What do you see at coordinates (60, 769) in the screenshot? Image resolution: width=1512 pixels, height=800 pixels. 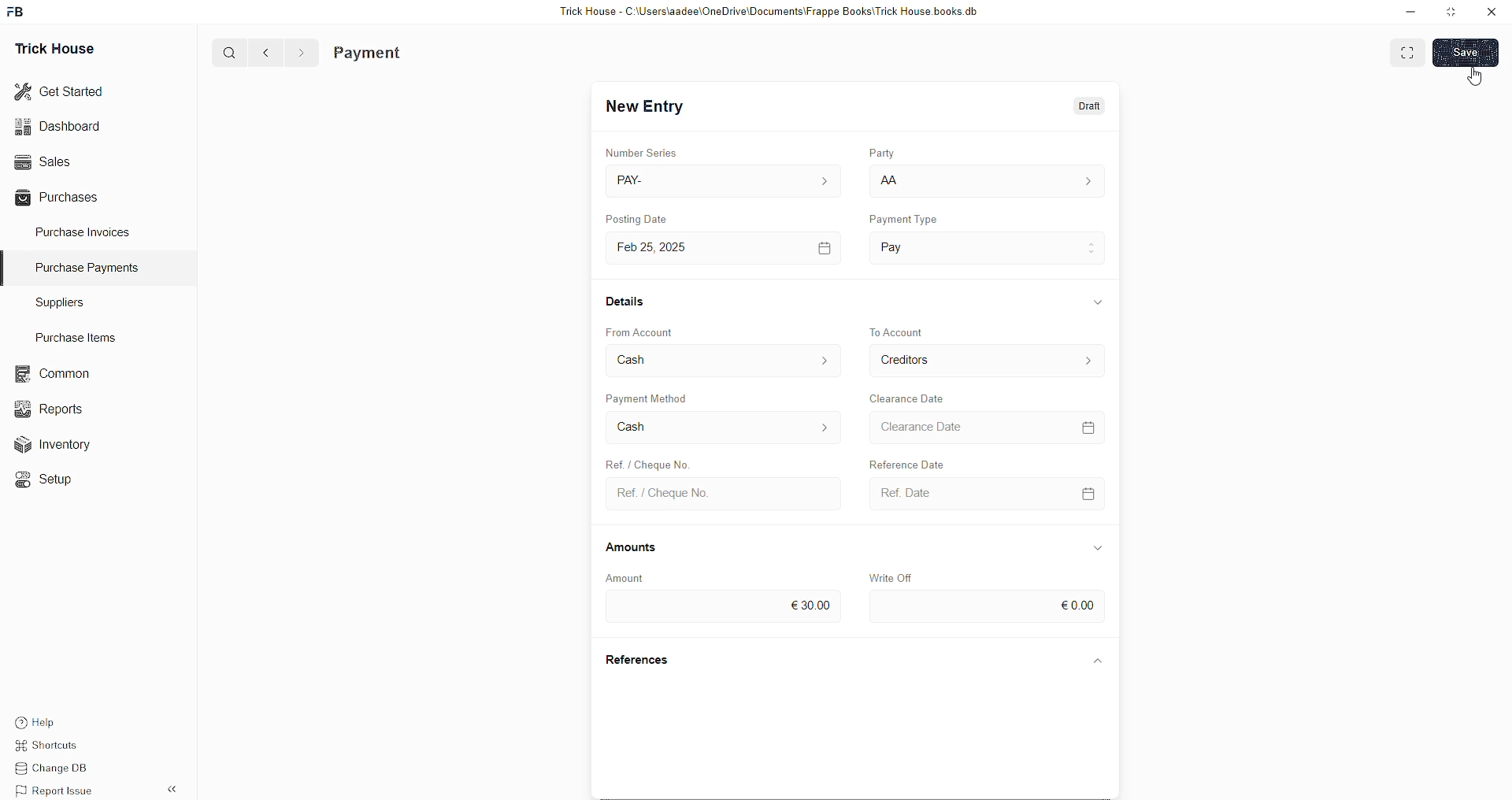 I see `Change DB` at bounding box center [60, 769].